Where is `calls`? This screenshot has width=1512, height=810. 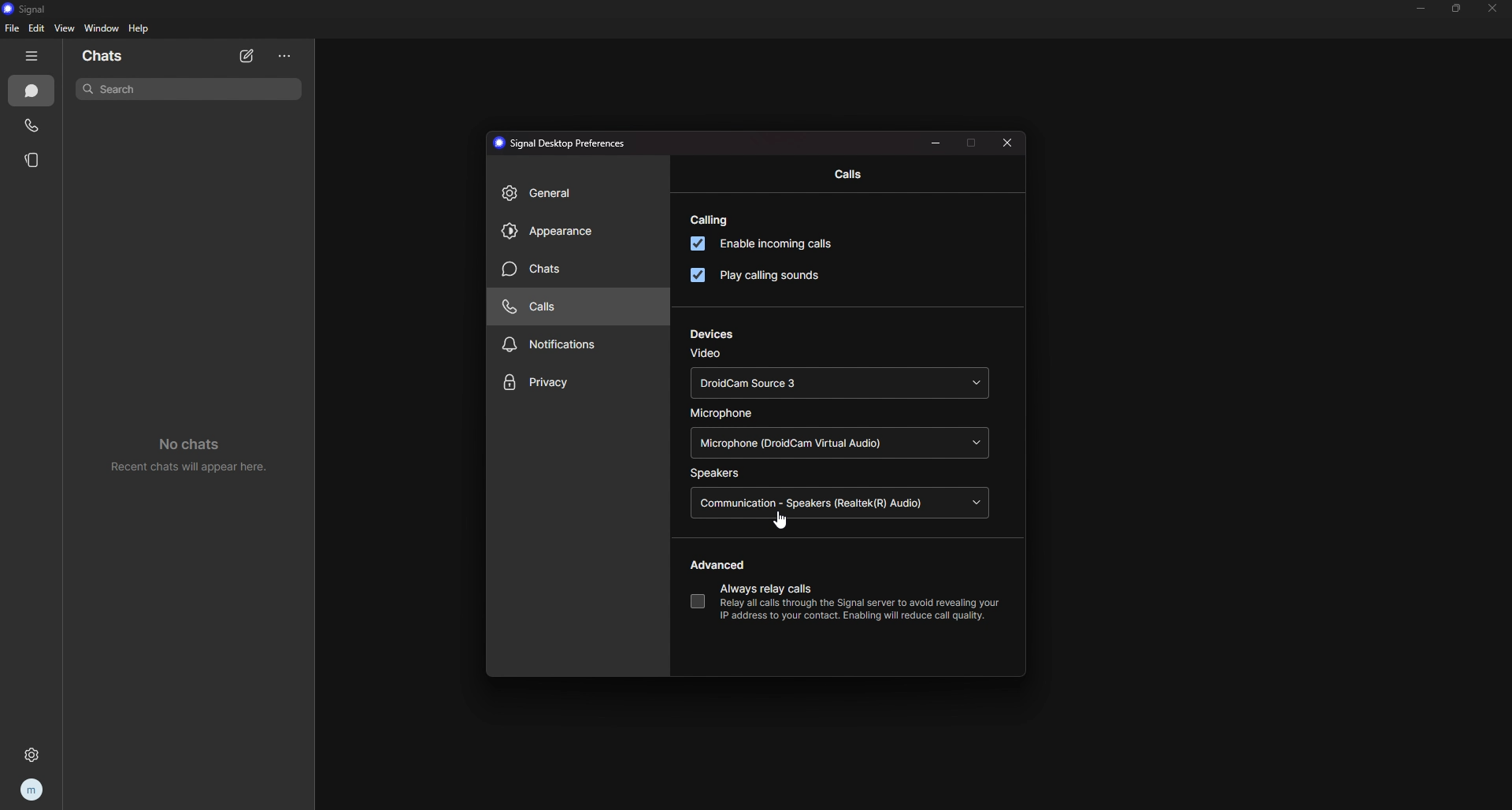
calls is located at coordinates (843, 174).